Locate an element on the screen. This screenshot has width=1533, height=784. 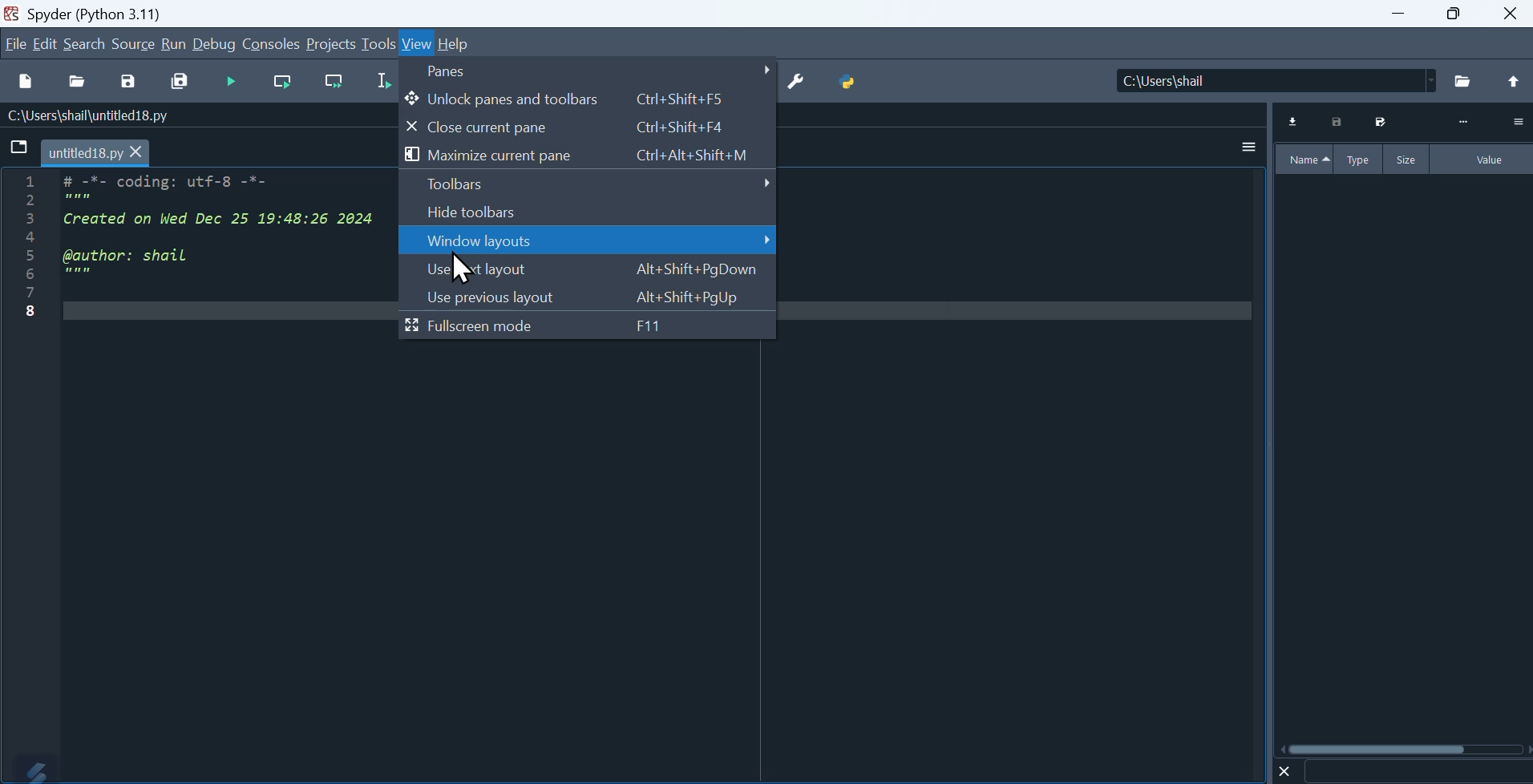
More is located at coordinates (1463, 123).